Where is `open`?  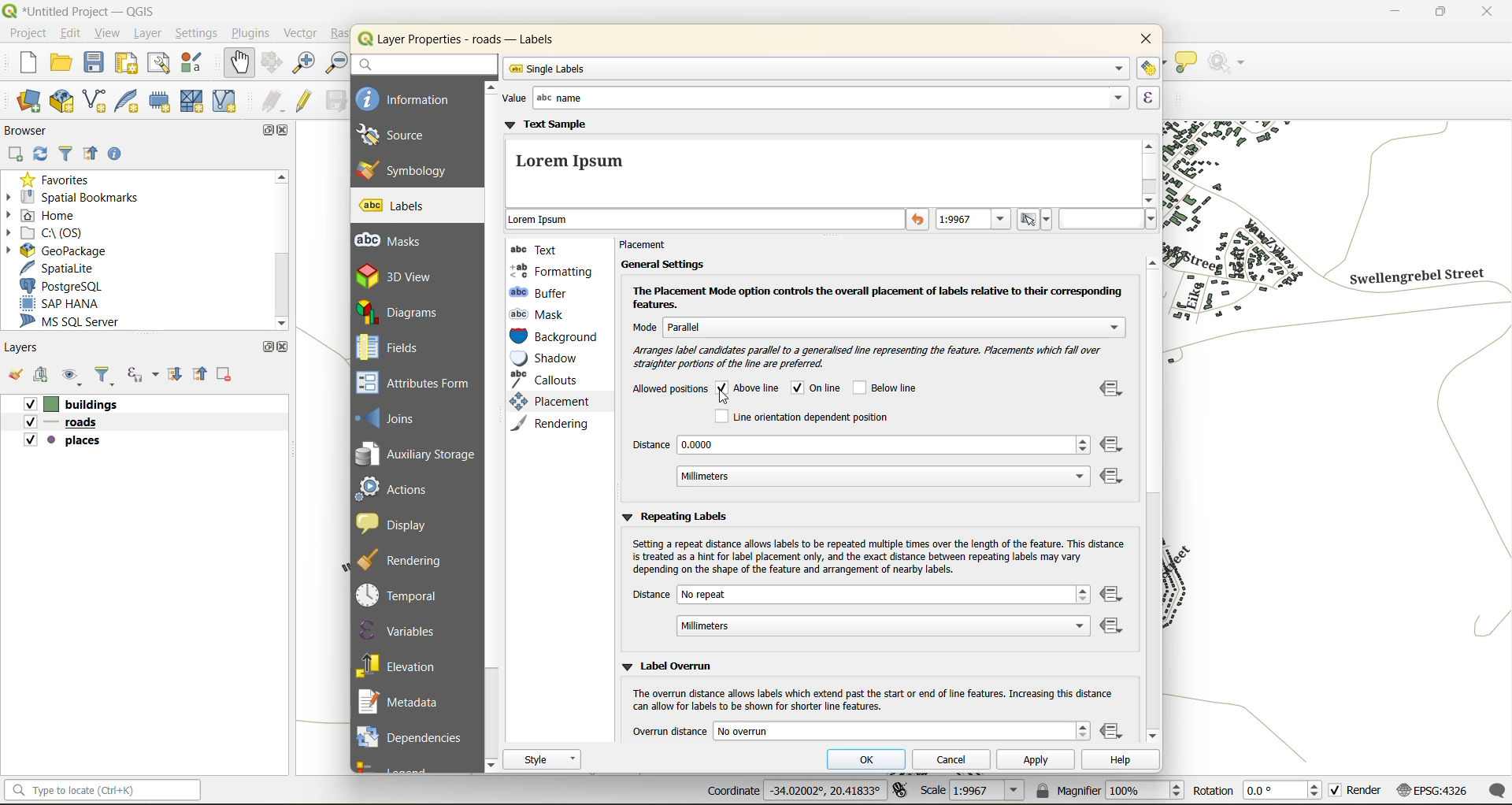
open is located at coordinates (64, 63).